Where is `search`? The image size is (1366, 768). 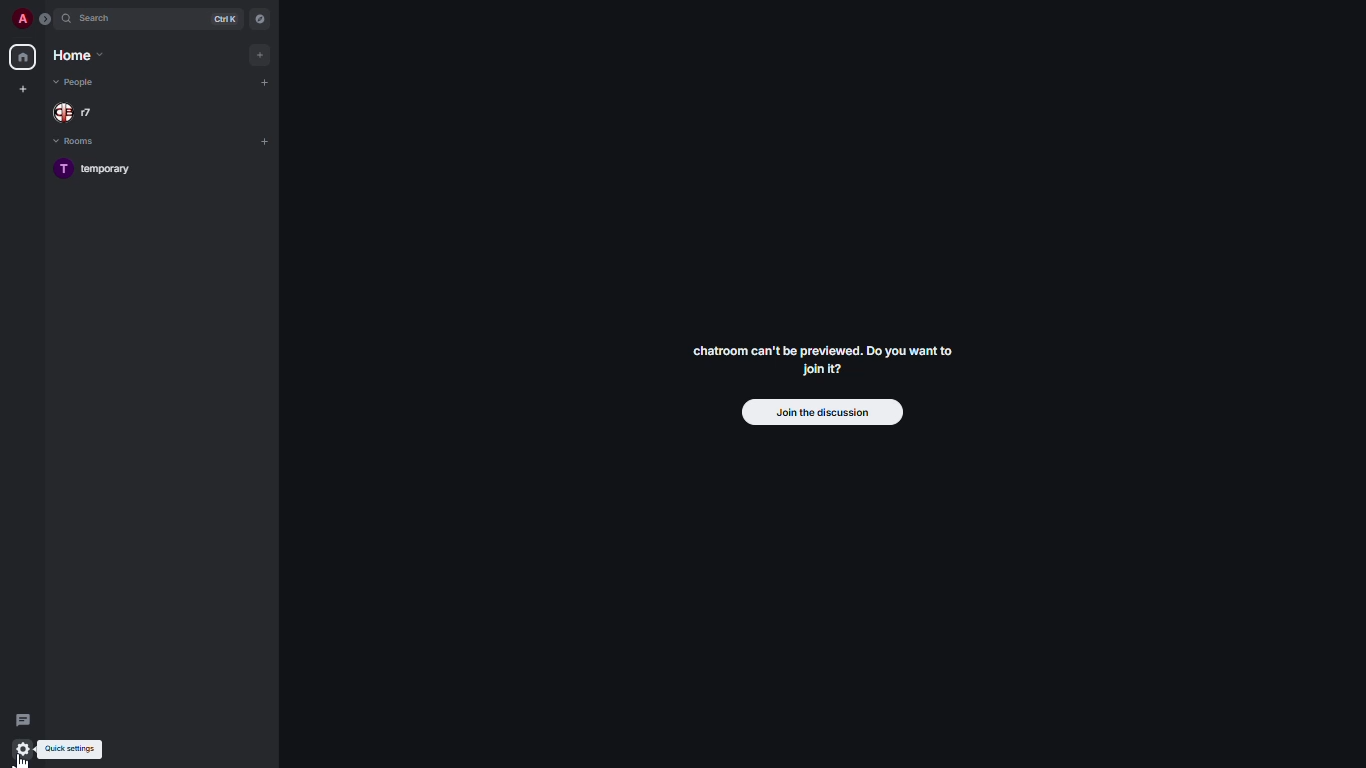 search is located at coordinates (106, 19).